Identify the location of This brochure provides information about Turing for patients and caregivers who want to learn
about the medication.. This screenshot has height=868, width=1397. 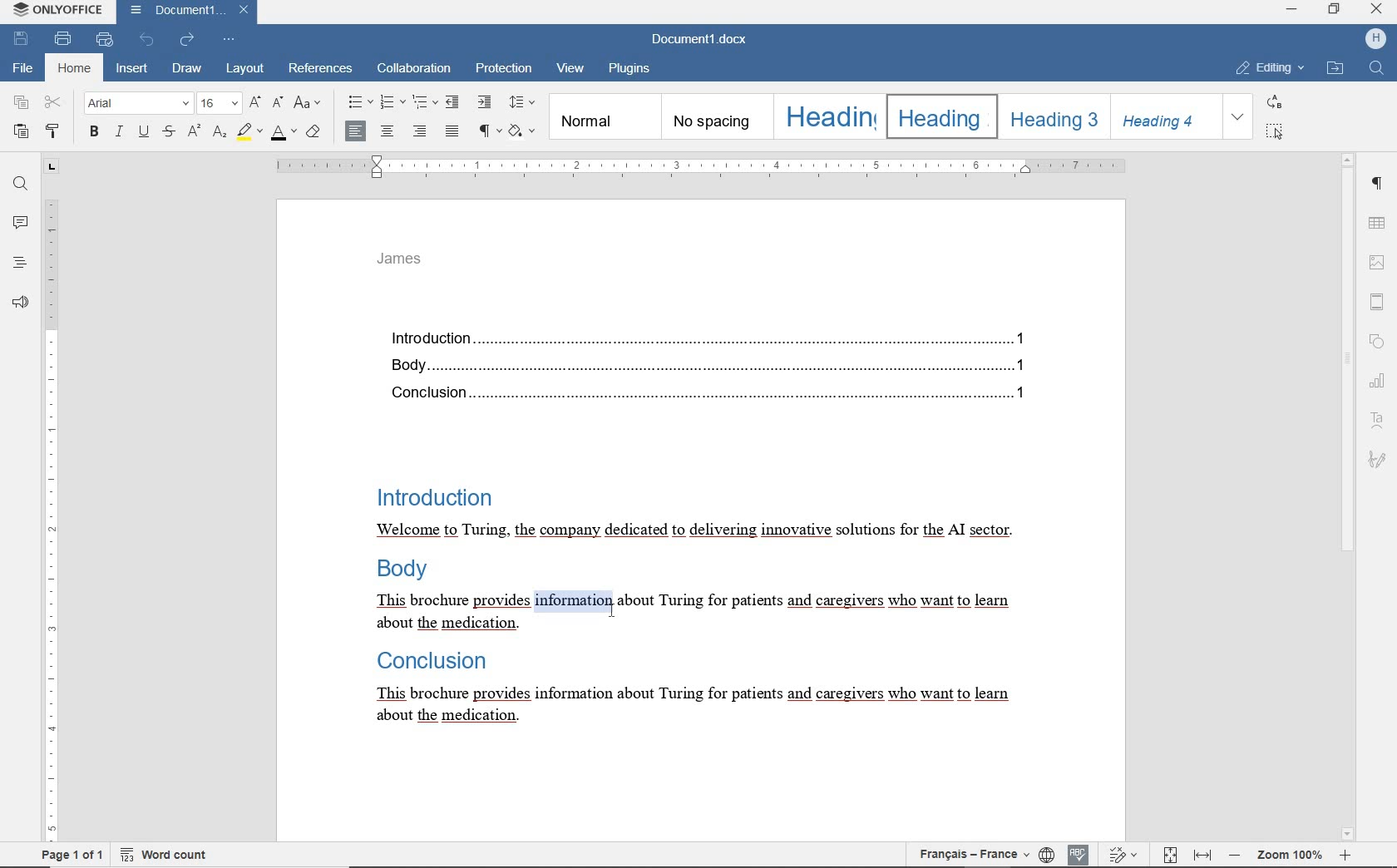
(694, 613).